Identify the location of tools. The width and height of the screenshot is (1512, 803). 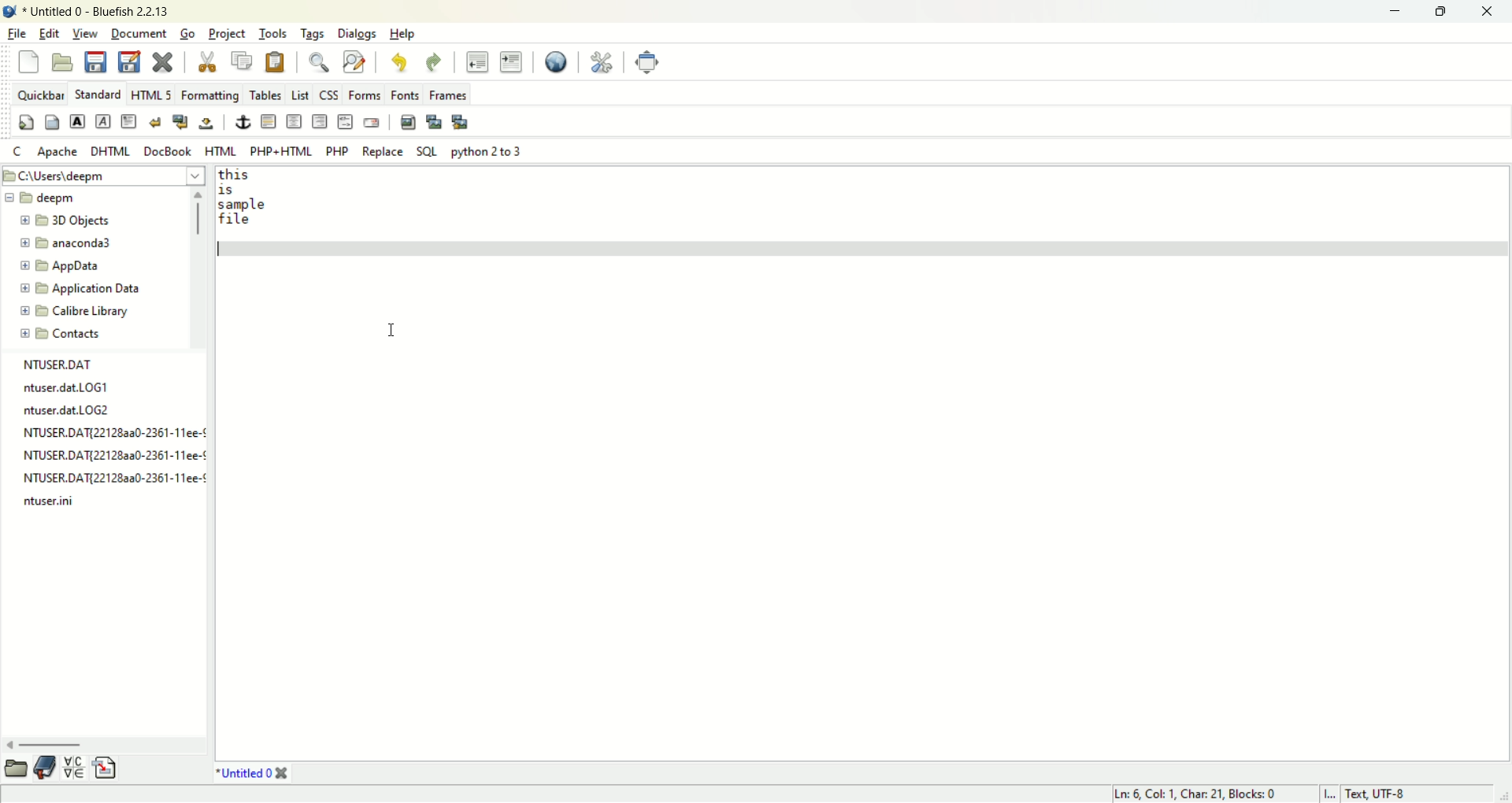
(274, 33).